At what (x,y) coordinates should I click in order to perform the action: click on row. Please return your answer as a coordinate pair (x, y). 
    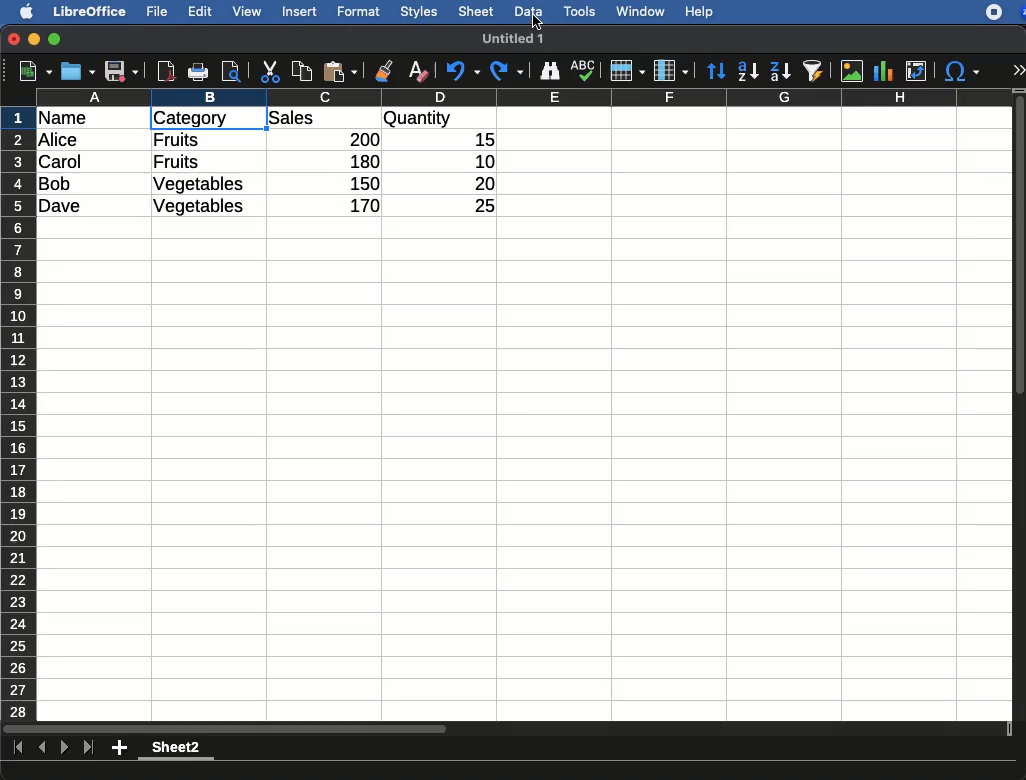
    Looking at the image, I should click on (626, 71).